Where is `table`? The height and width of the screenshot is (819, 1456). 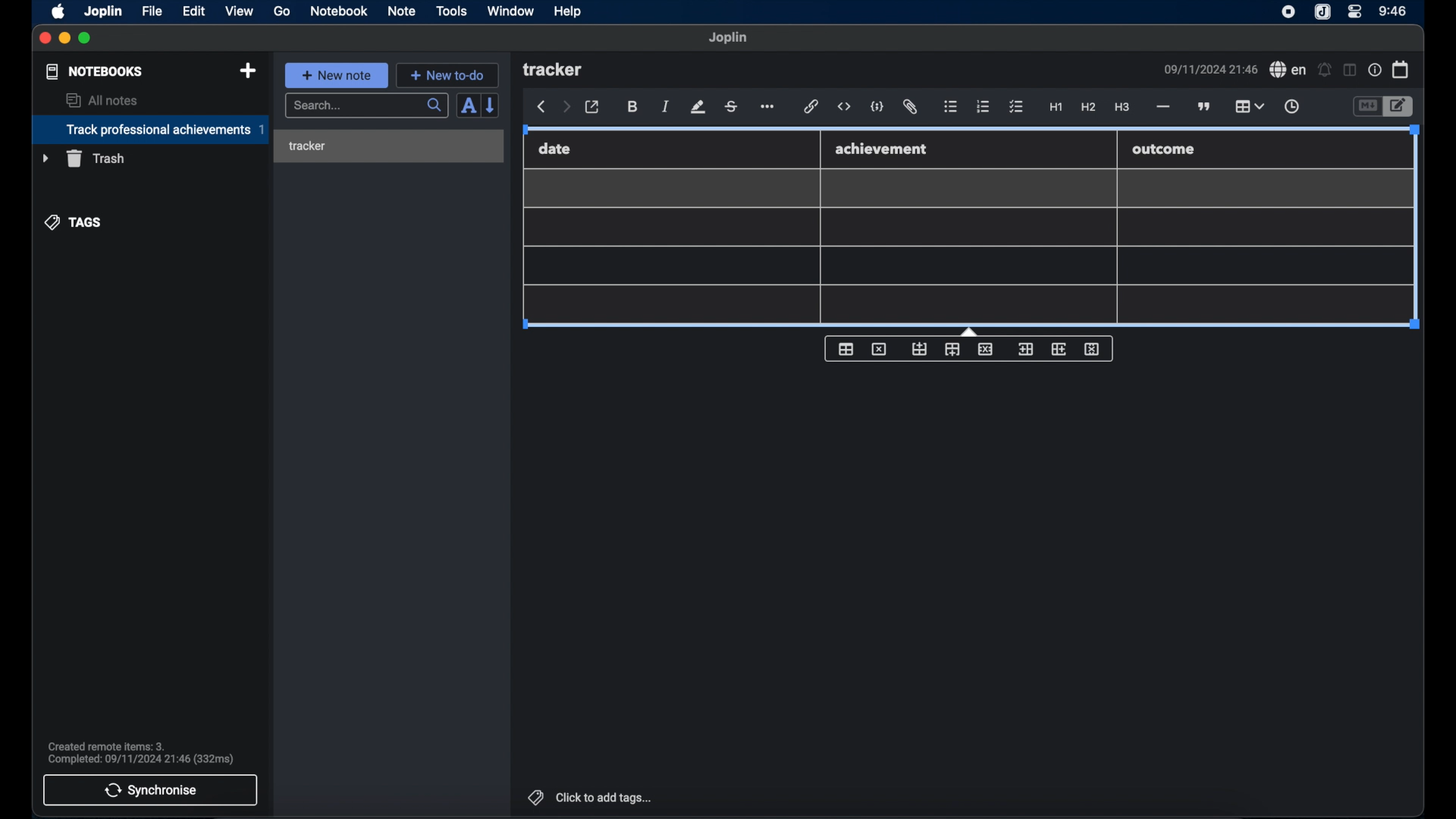
table is located at coordinates (1249, 105).